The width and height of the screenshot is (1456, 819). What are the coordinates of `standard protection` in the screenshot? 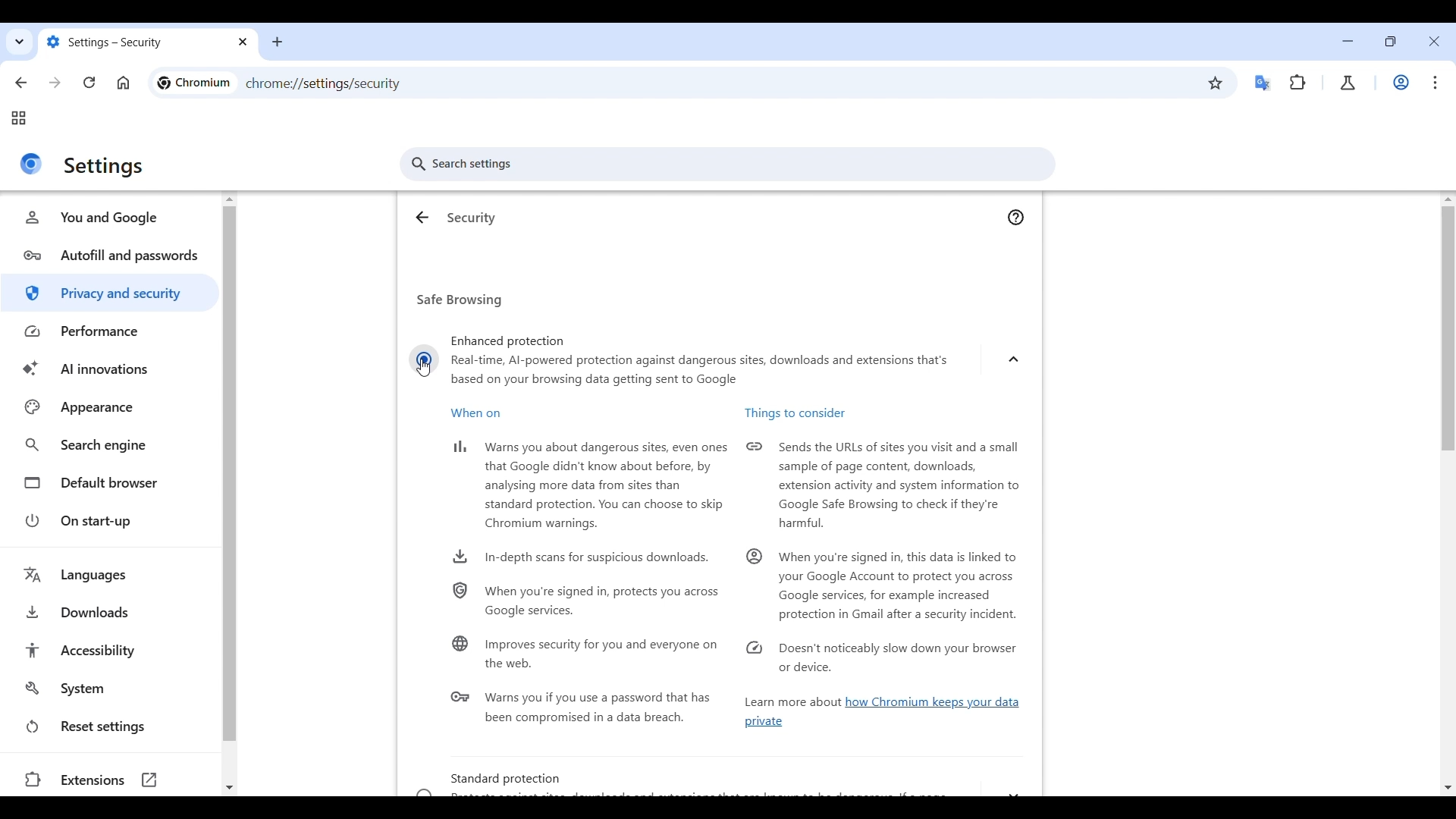 It's located at (717, 783).